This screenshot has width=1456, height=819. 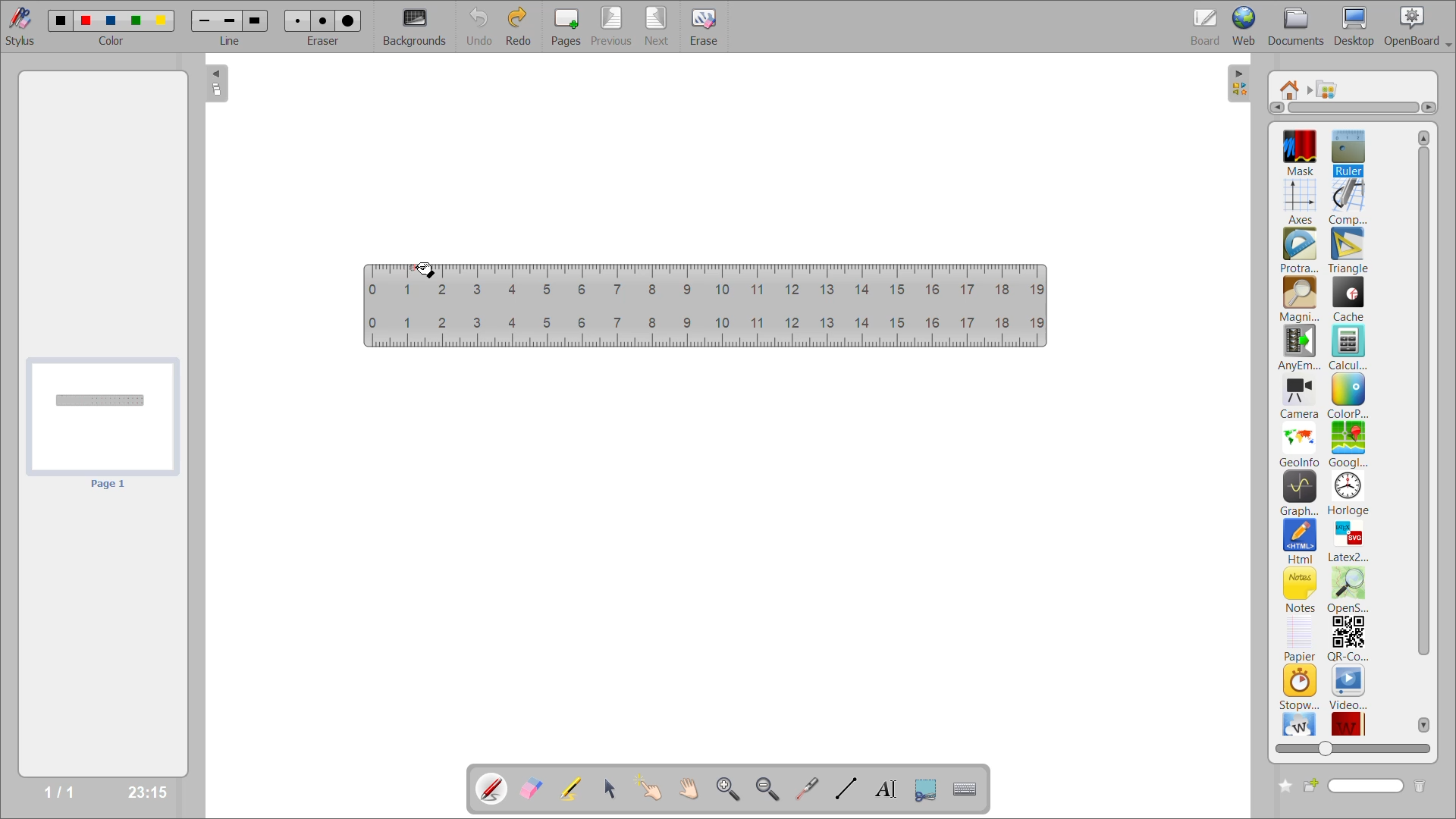 I want to click on video, so click(x=1349, y=686).